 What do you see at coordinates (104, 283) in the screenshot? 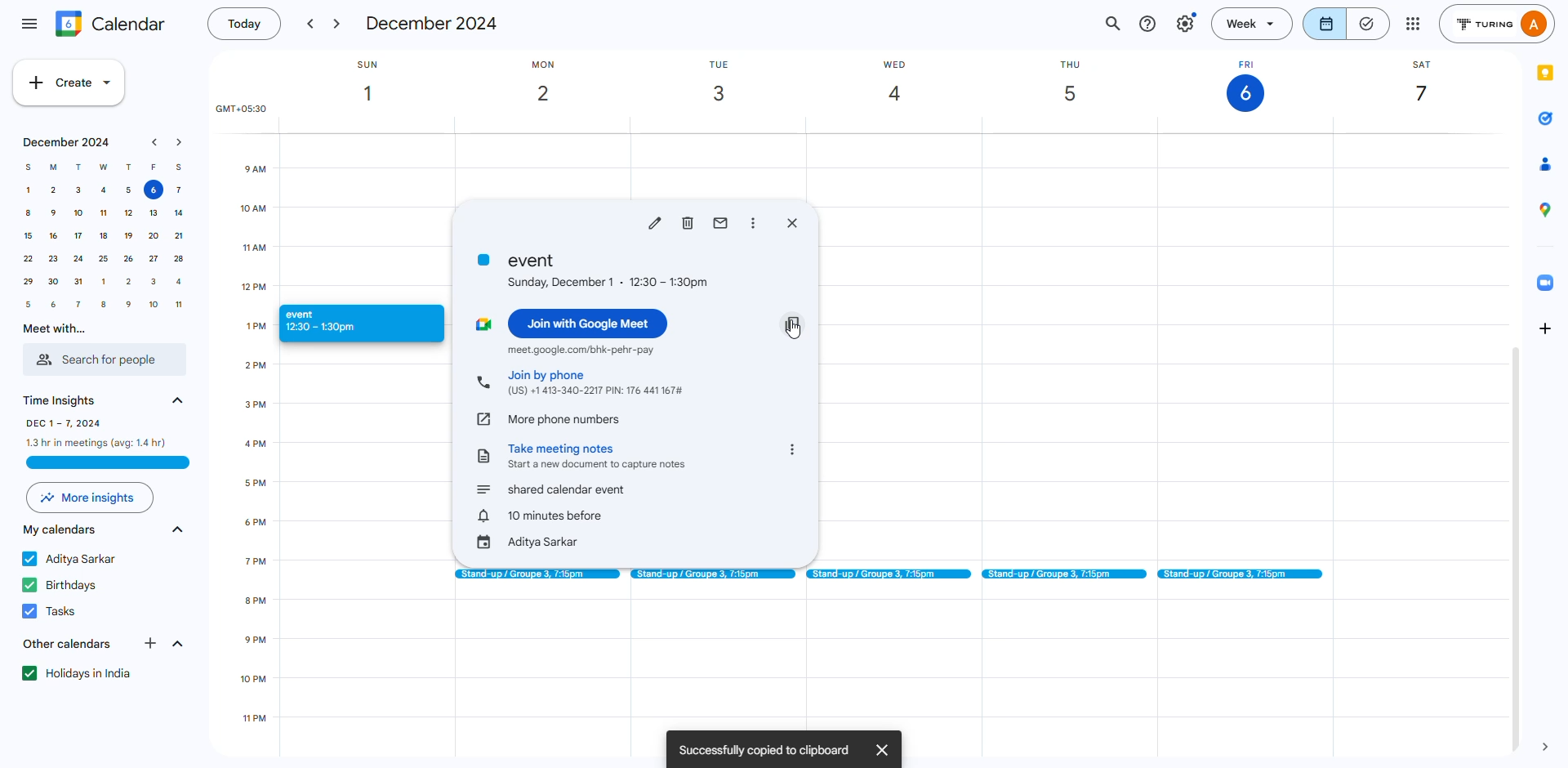
I see `1` at bounding box center [104, 283].